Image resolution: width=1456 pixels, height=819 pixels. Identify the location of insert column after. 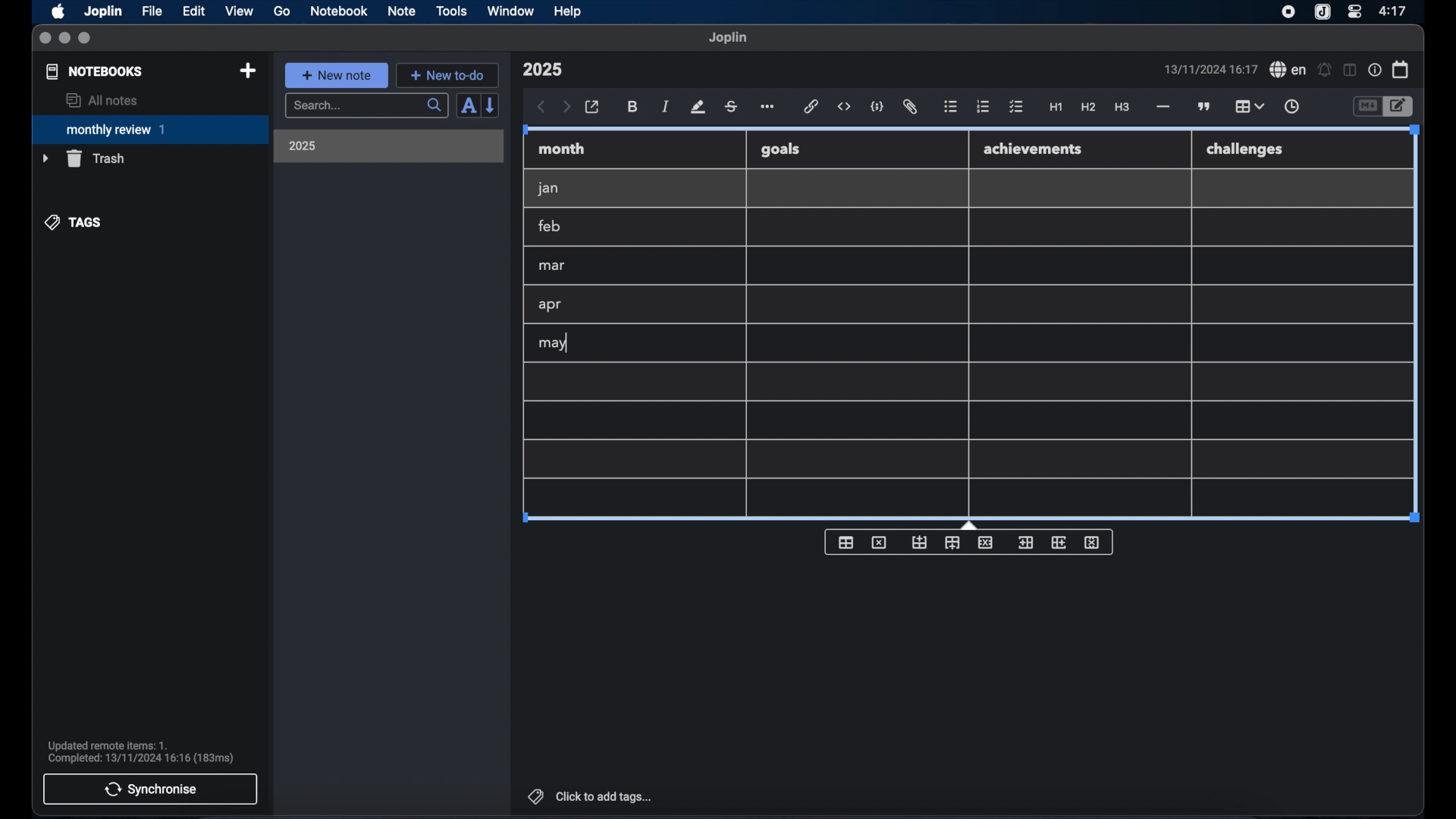
(1059, 542).